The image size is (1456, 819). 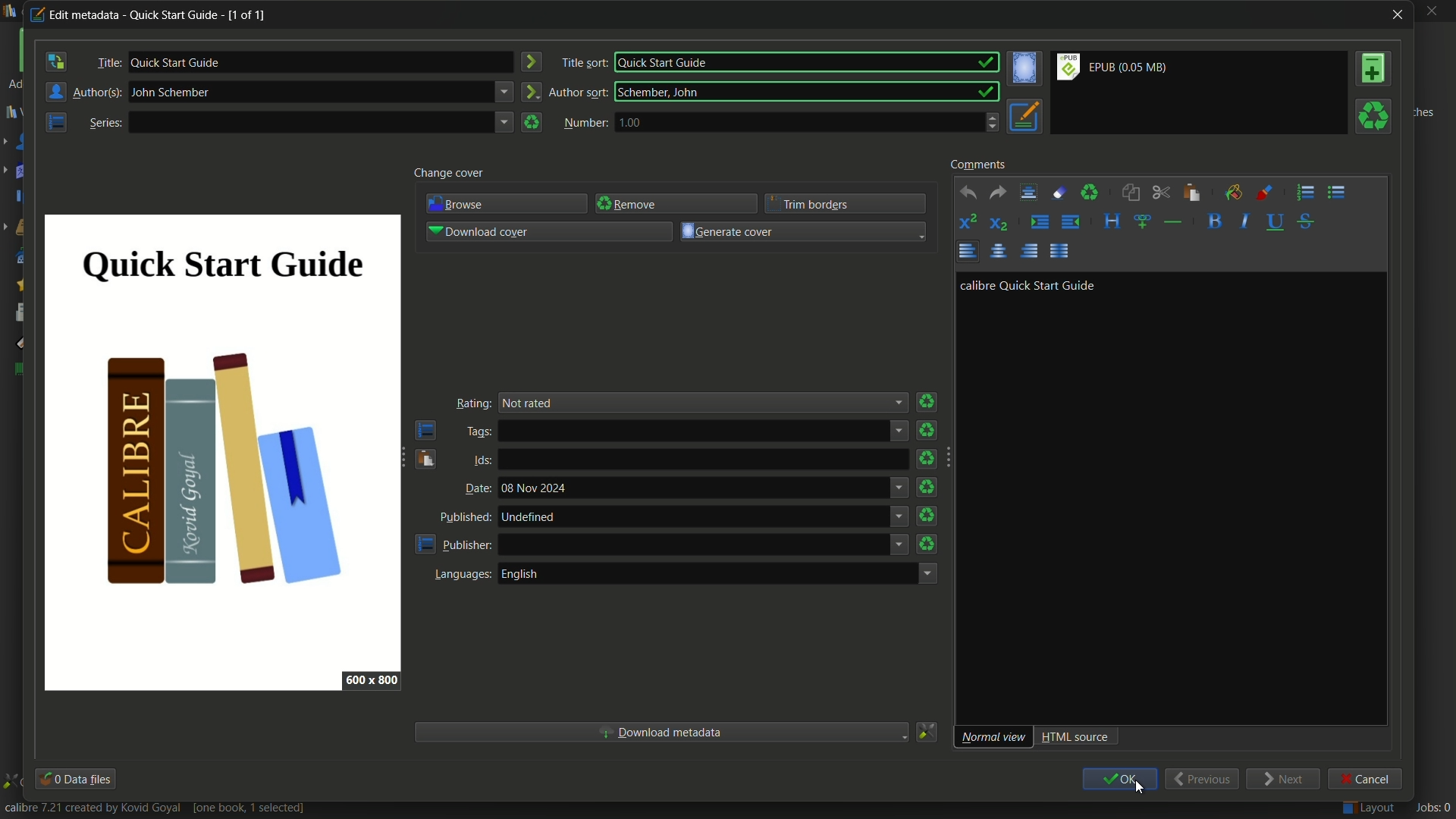 What do you see at coordinates (968, 224) in the screenshot?
I see `superscript` at bounding box center [968, 224].